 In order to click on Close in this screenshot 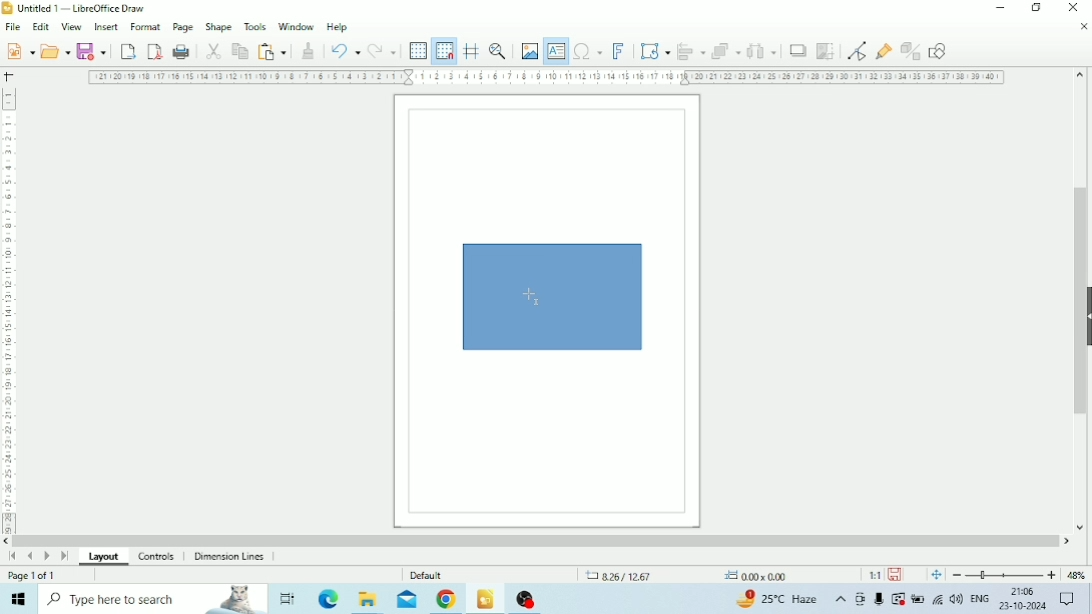, I will do `click(1074, 7)`.